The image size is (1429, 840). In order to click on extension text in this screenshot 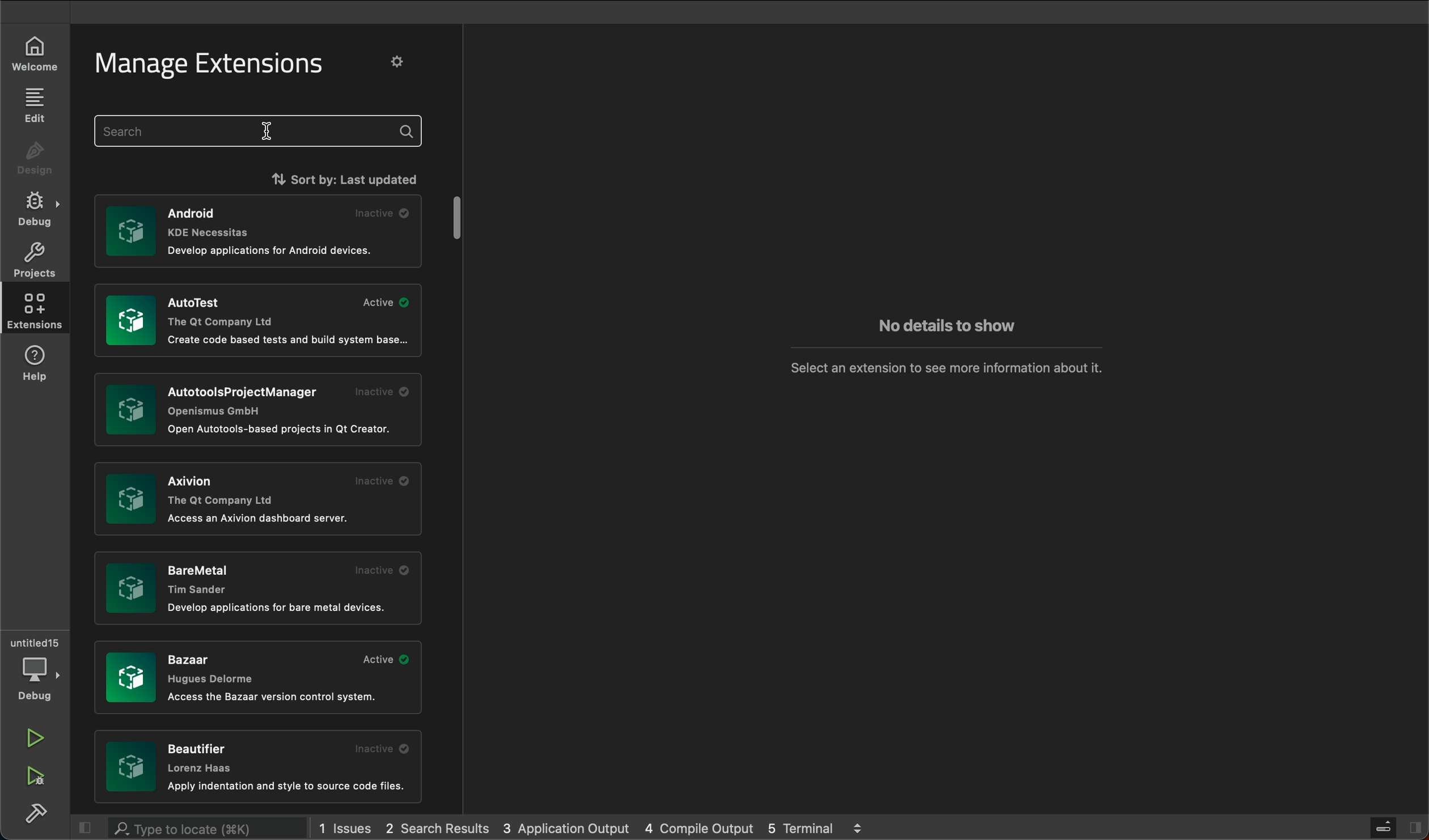, I will do `click(289, 787)`.